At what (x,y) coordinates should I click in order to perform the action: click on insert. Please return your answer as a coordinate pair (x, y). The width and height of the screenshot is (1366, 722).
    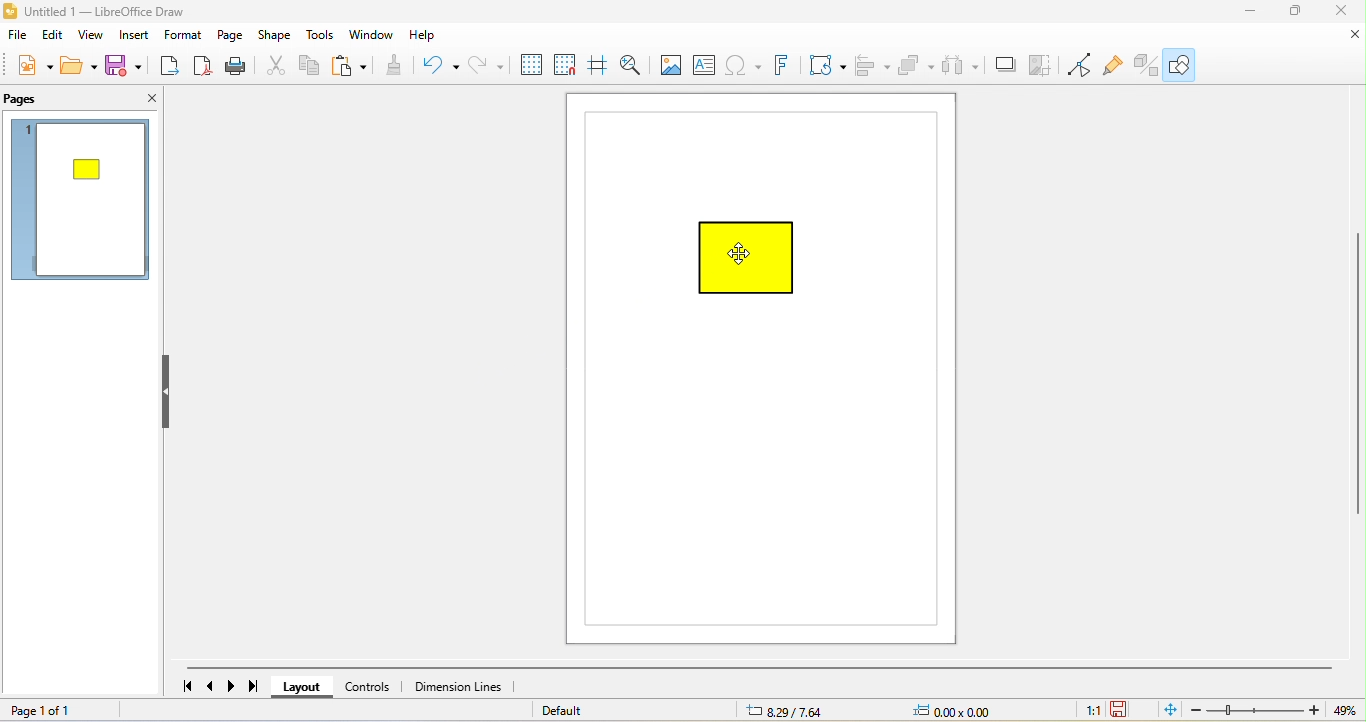
    Looking at the image, I should click on (138, 35).